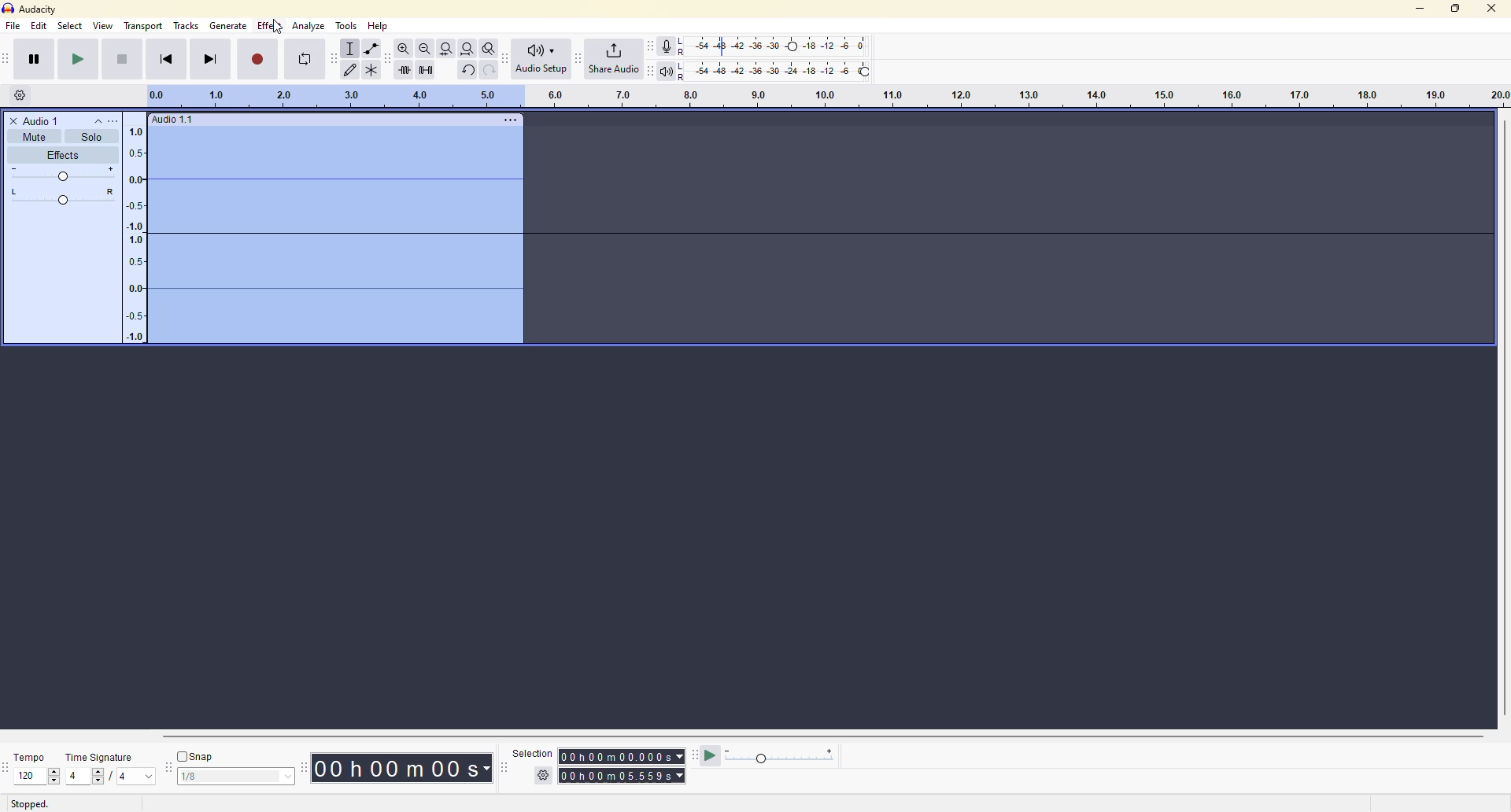 The image size is (1511, 812). What do you see at coordinates (614, 58) in the screenshot?
I see `share audio` at bounding box center [614, 58].